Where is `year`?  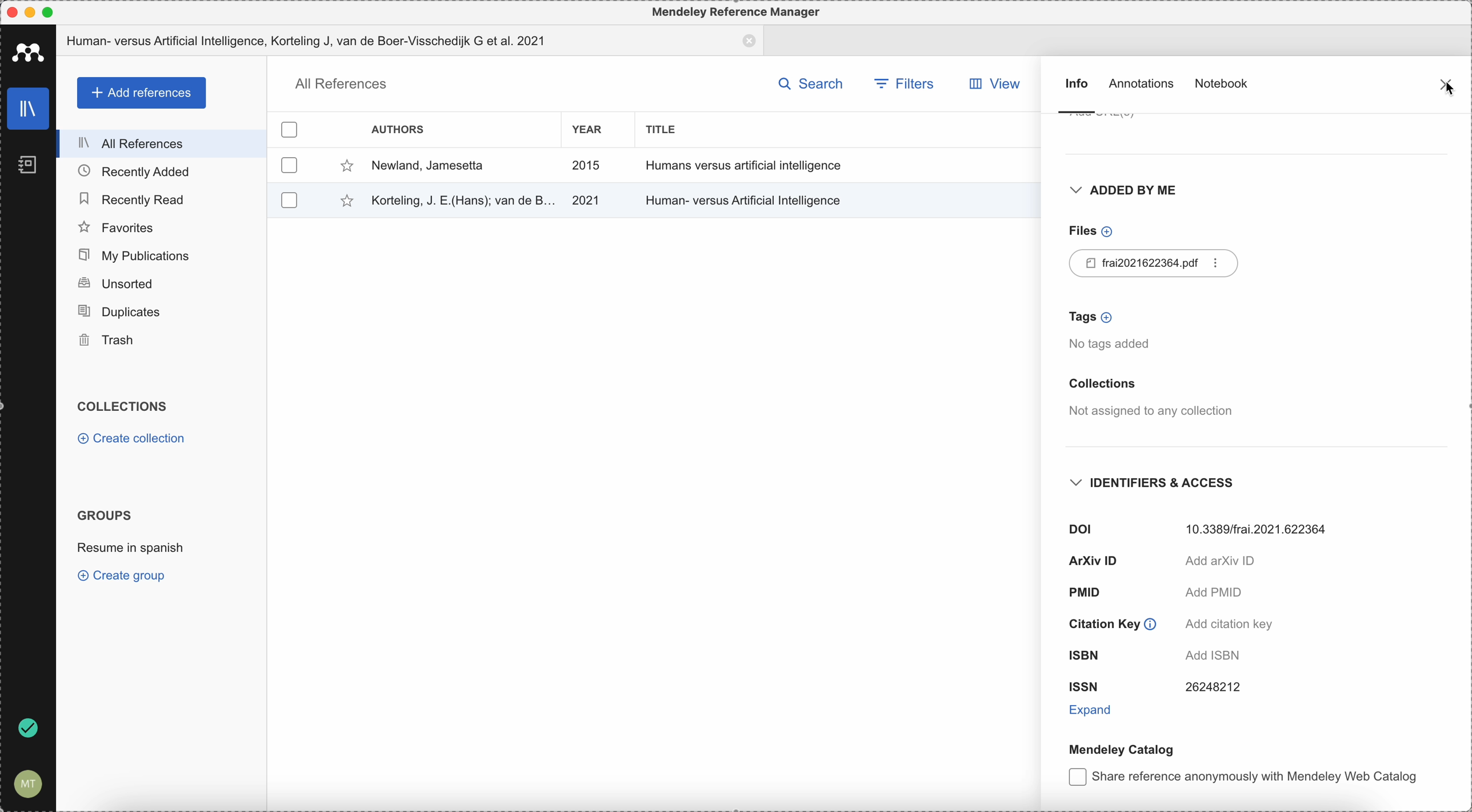 year is located at coordinates (587, 130).